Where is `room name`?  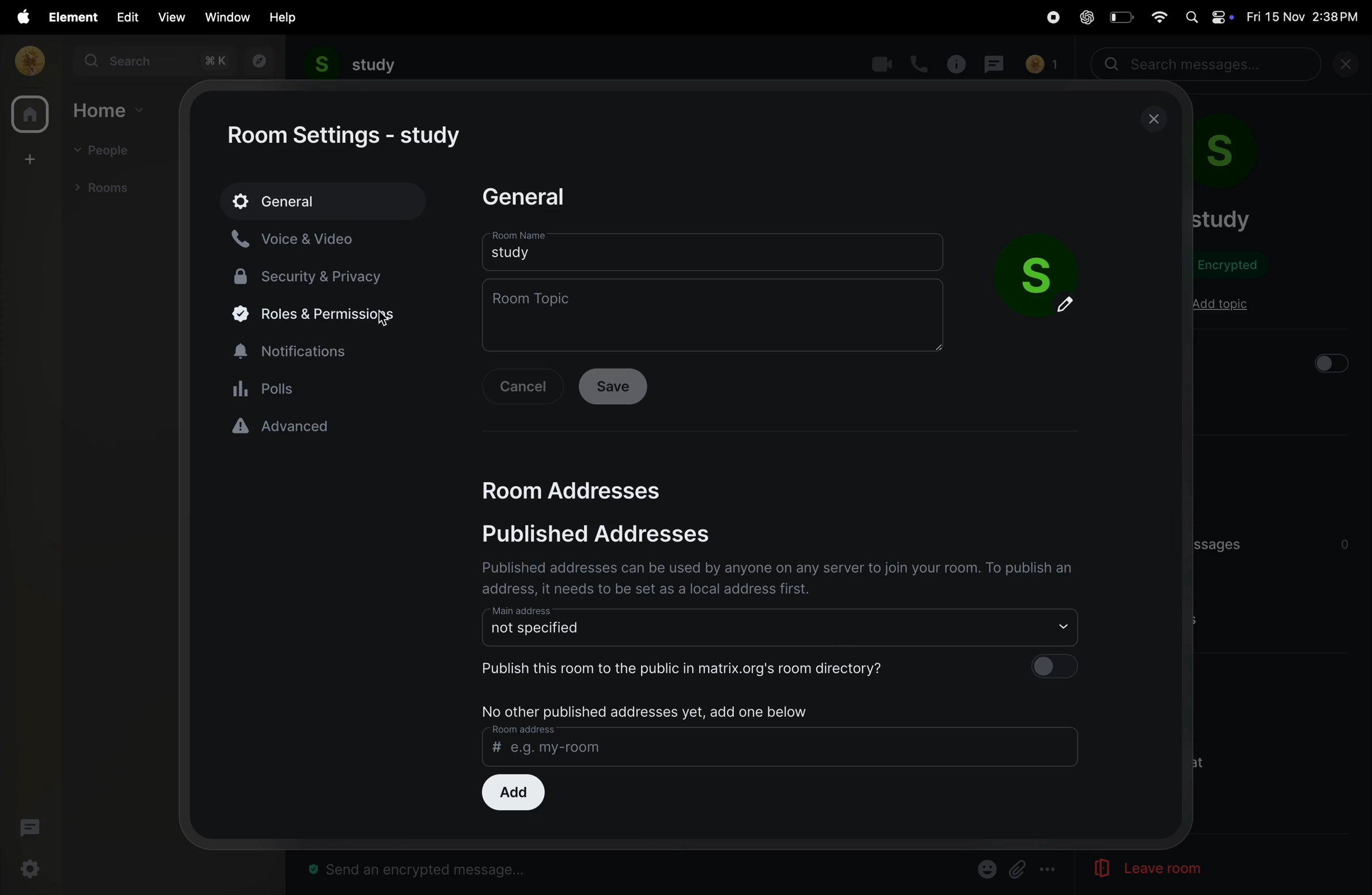
room name is located at coordinates (714, 250).